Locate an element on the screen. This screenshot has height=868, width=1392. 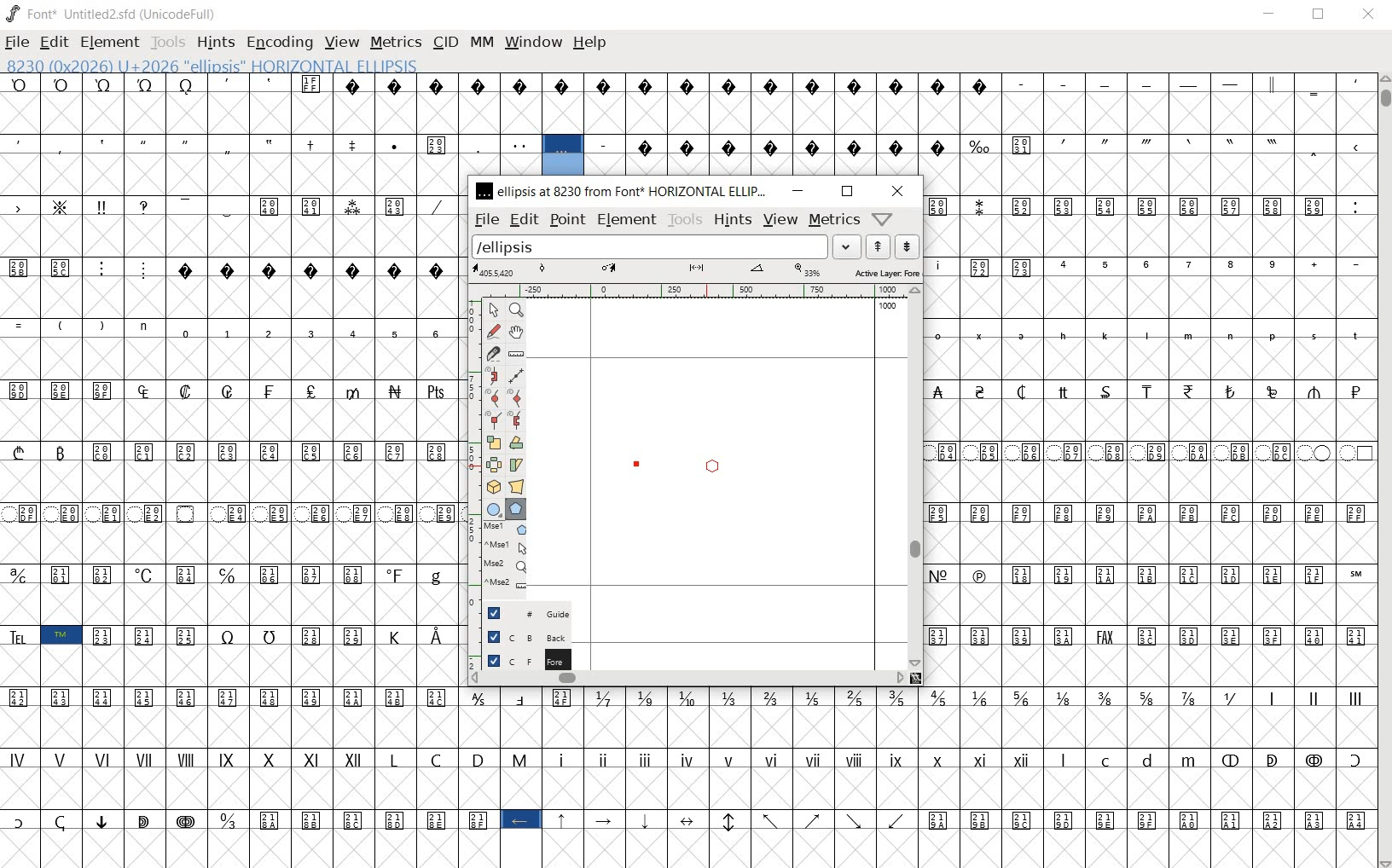
FONT*UNTITLED2.SFD (UNICODEFULL) is located at coordinates (114, 12).